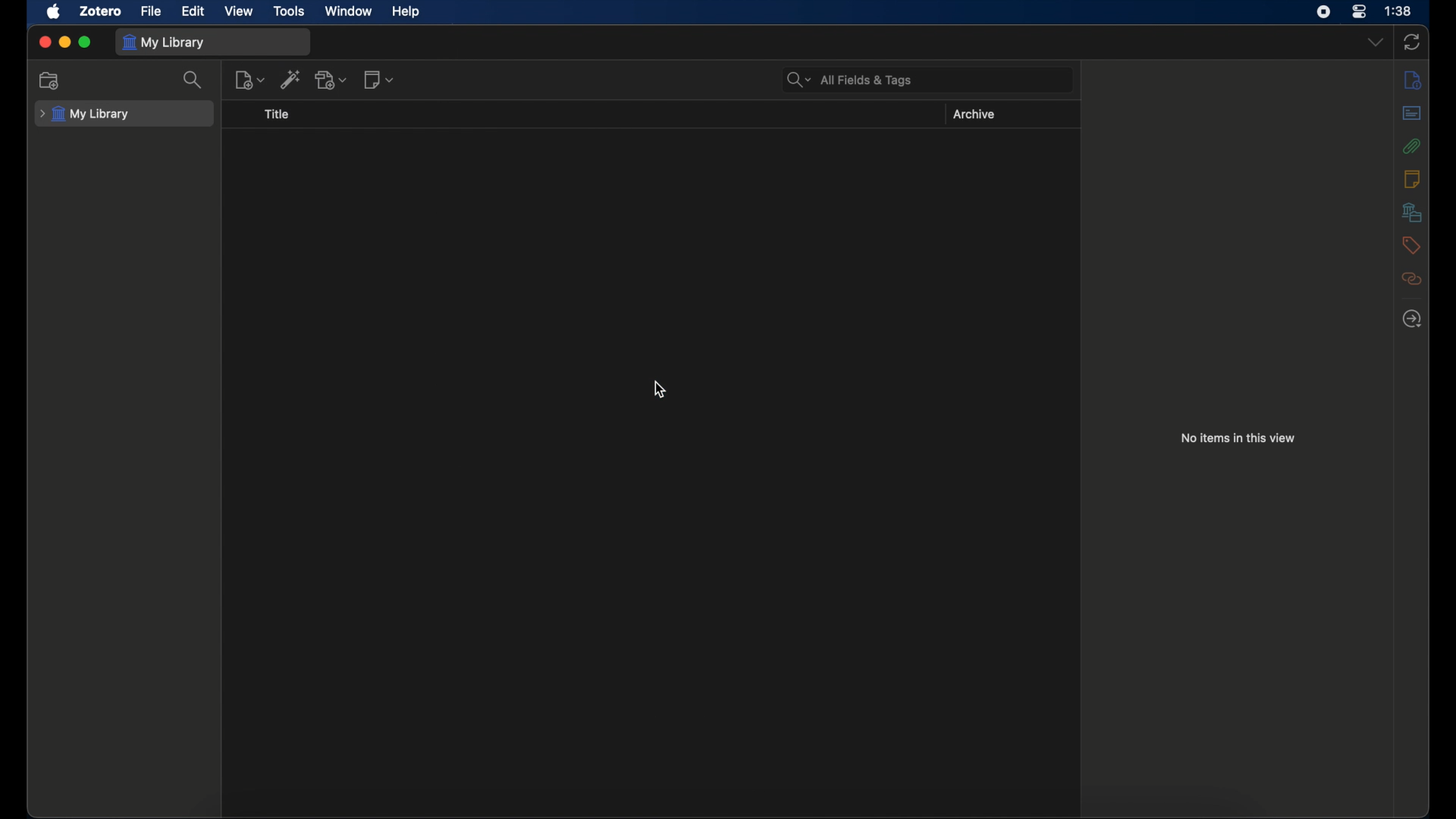 The width and height of the screenshot is (1456, 819). Describe the element at coordinates (379, 80) in the screenshot. I see `new notes` at that location.